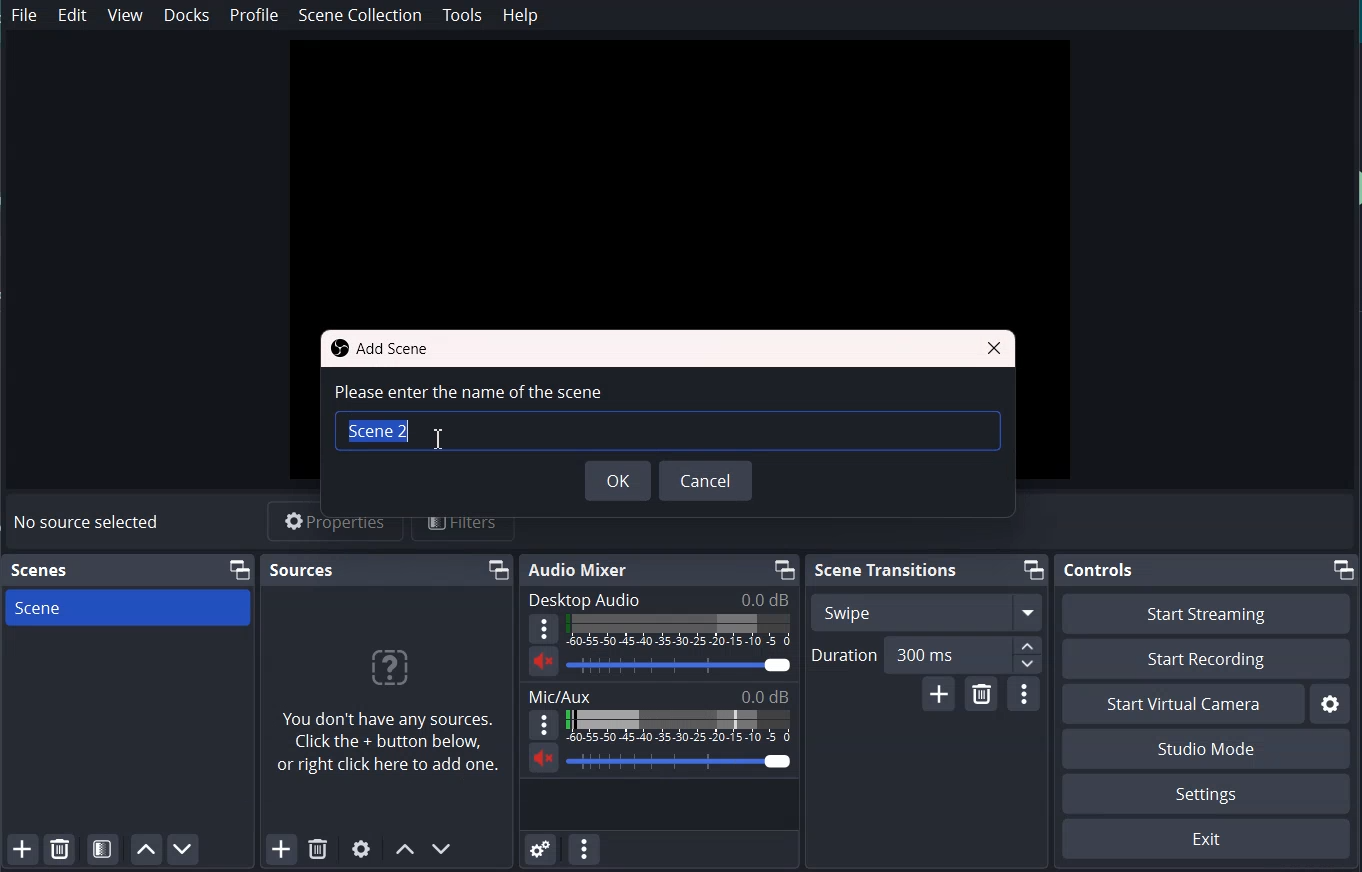 The image size is (1362, 872). Describe the element at coordinates (443, 849) in the screenshot. I see `Move scene Down` at that location.